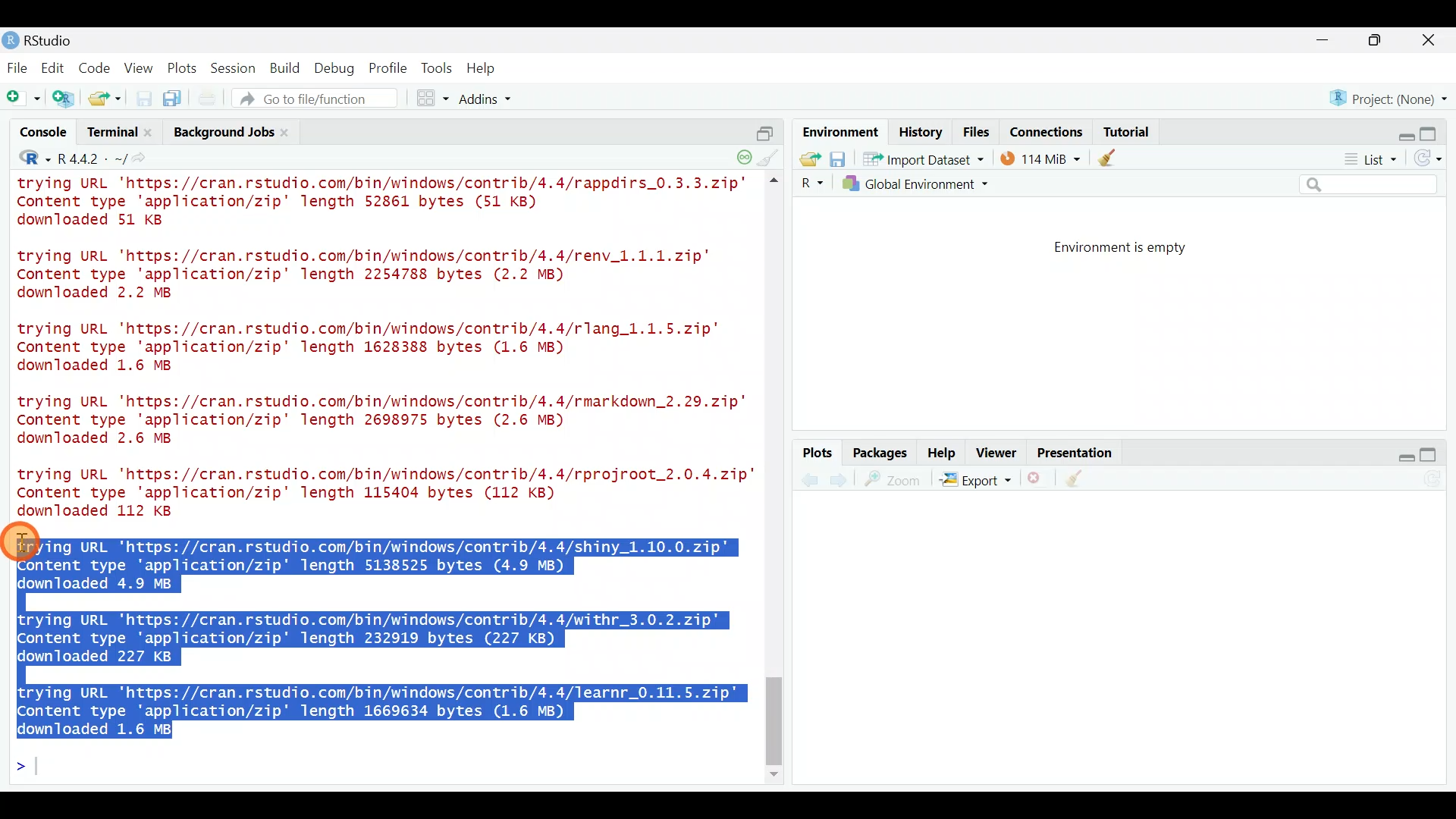 This screenshot has height=819, width=1456. I want to click on view the current working directory, so click(145, 158).